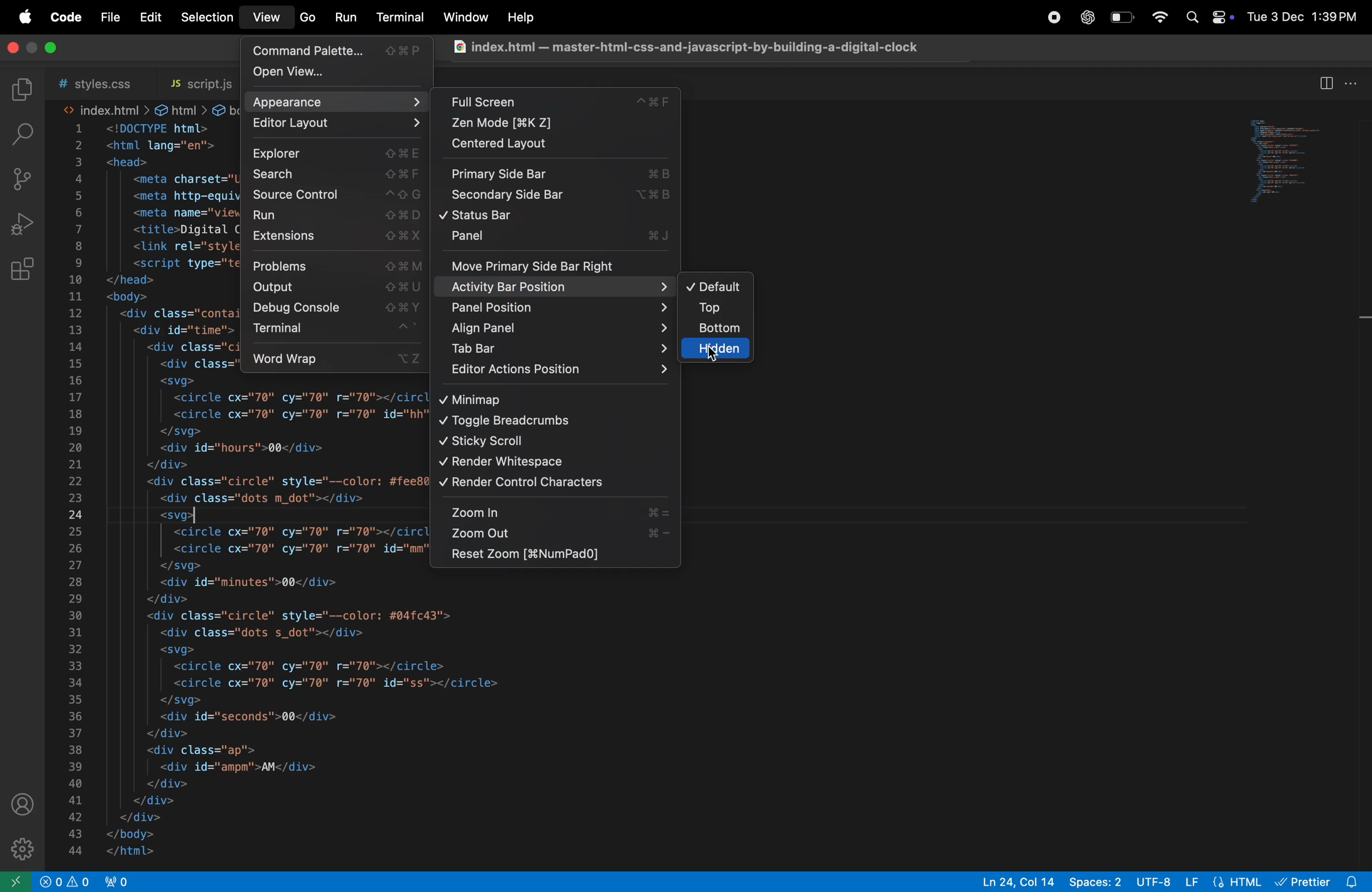 The image size is (1372, 892). What do you see at coordinates (339, 101) in the screenshot?
I see `apperance` at bounding box center [339, 101].